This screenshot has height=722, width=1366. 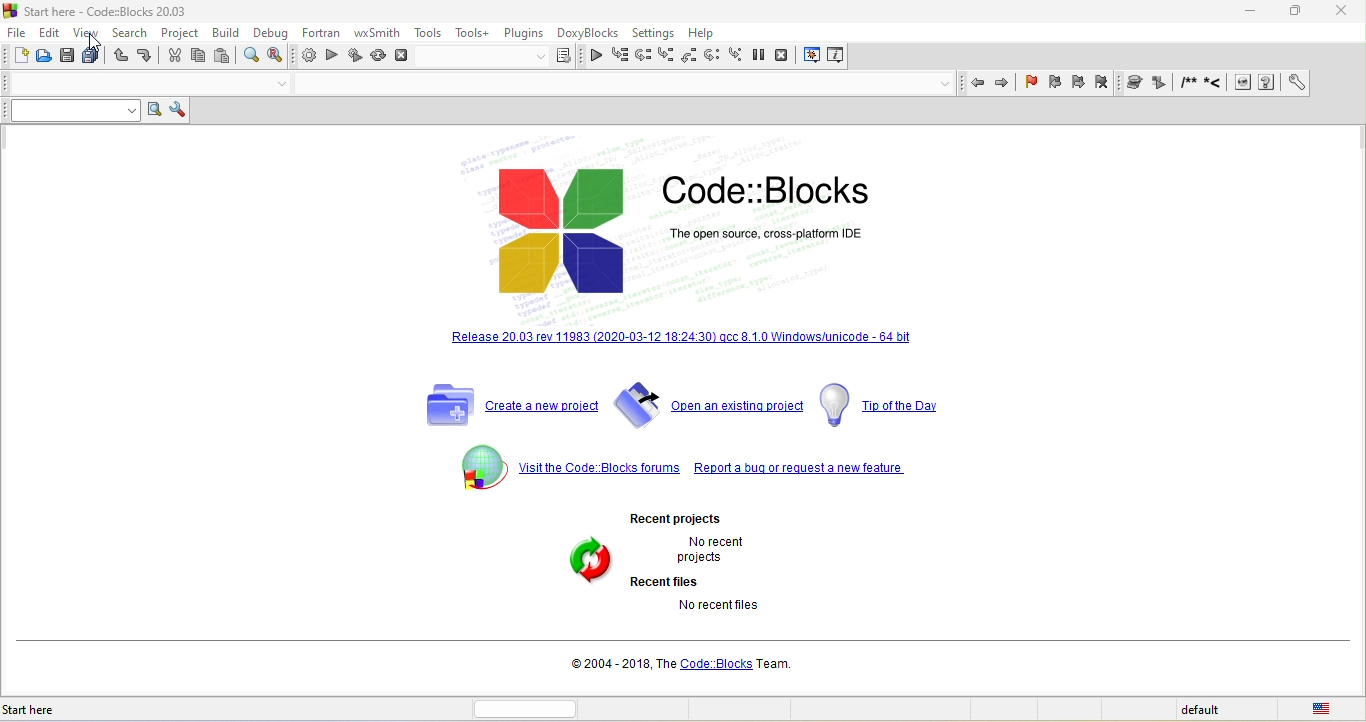 I want to click on run to cursor, so click(x=620, y=57).